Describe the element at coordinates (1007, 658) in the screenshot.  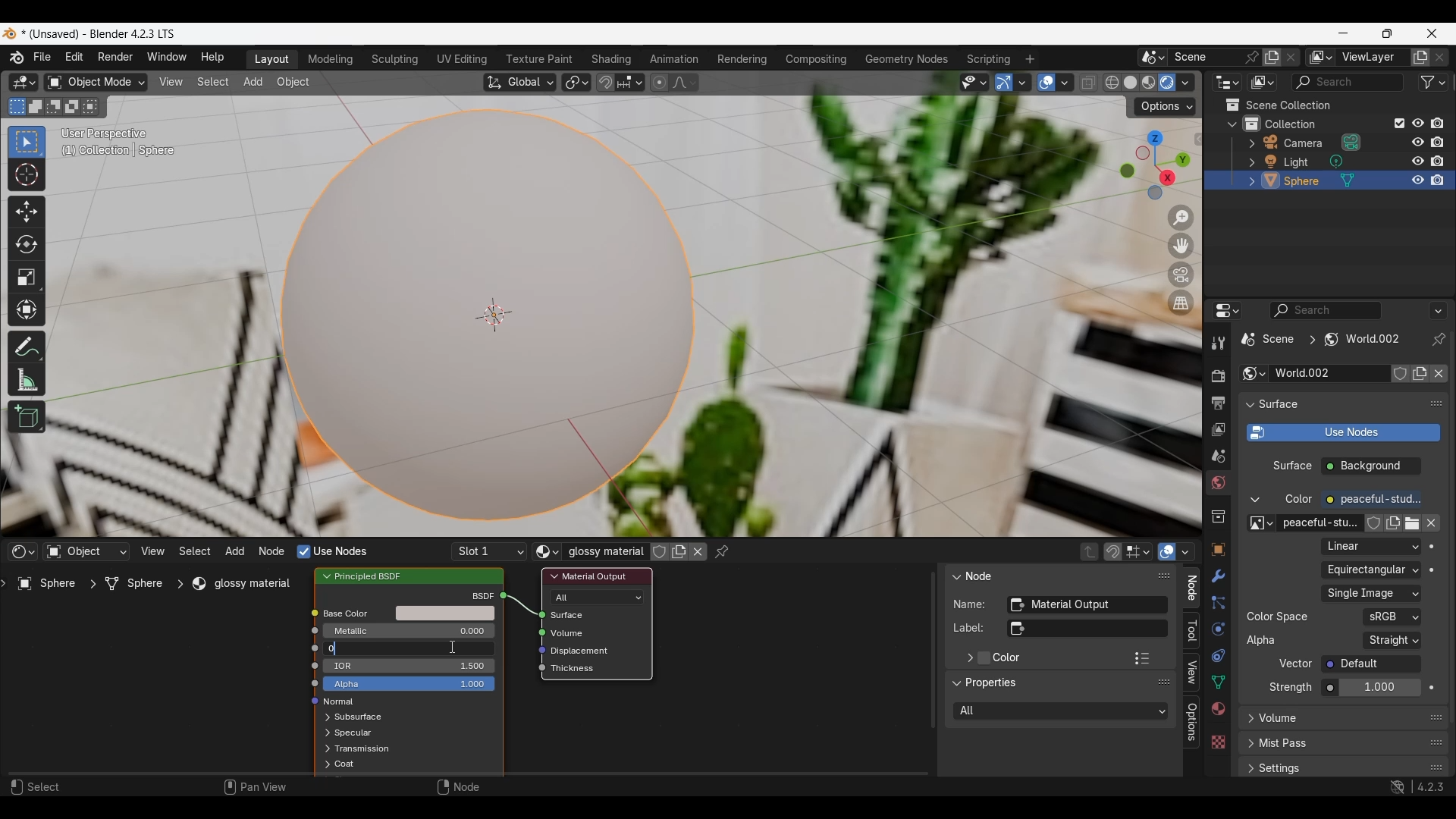
I see `Color` at that location.